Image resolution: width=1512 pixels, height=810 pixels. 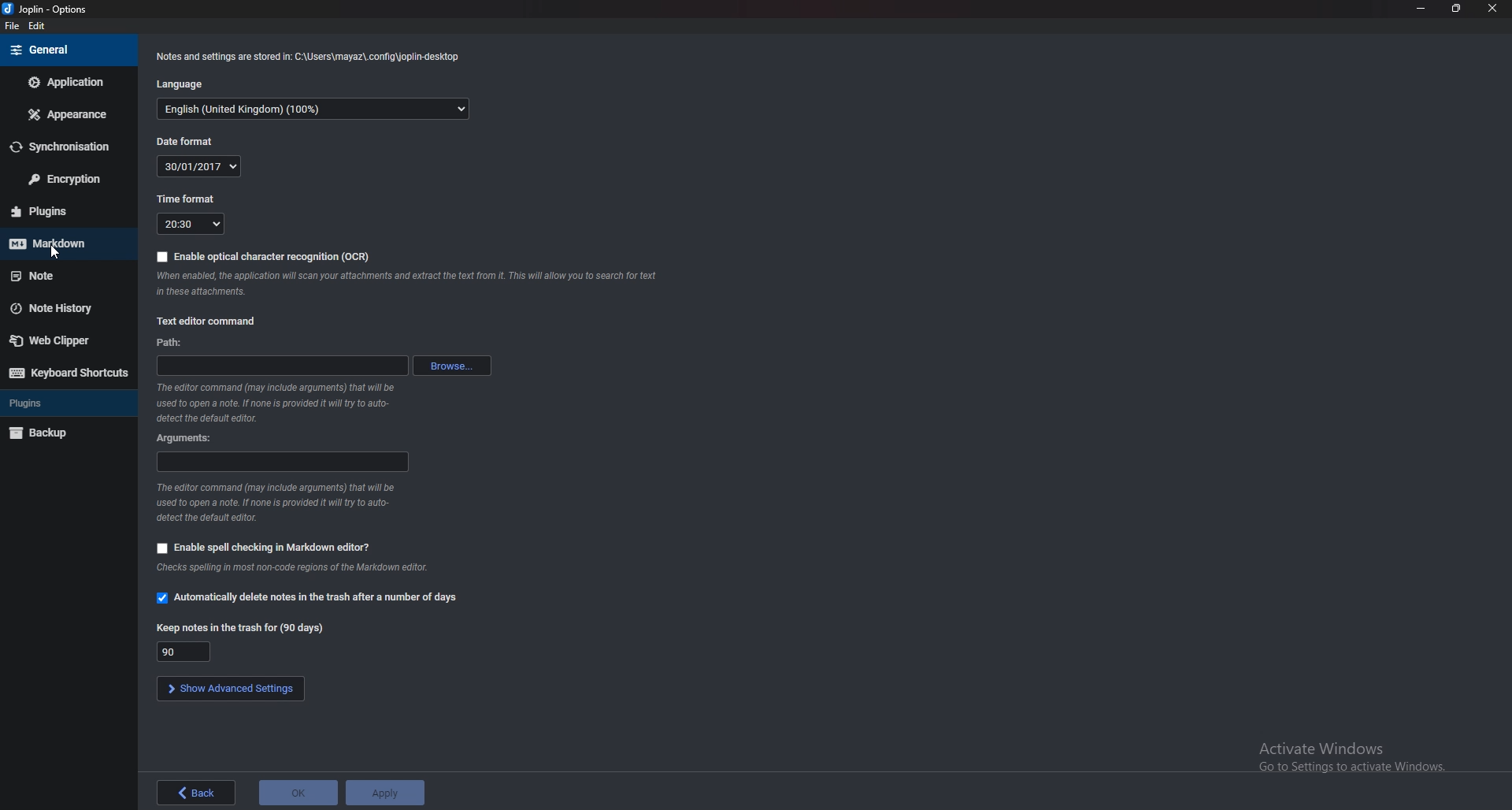 I want to click on General, so click(x=62, y=49).